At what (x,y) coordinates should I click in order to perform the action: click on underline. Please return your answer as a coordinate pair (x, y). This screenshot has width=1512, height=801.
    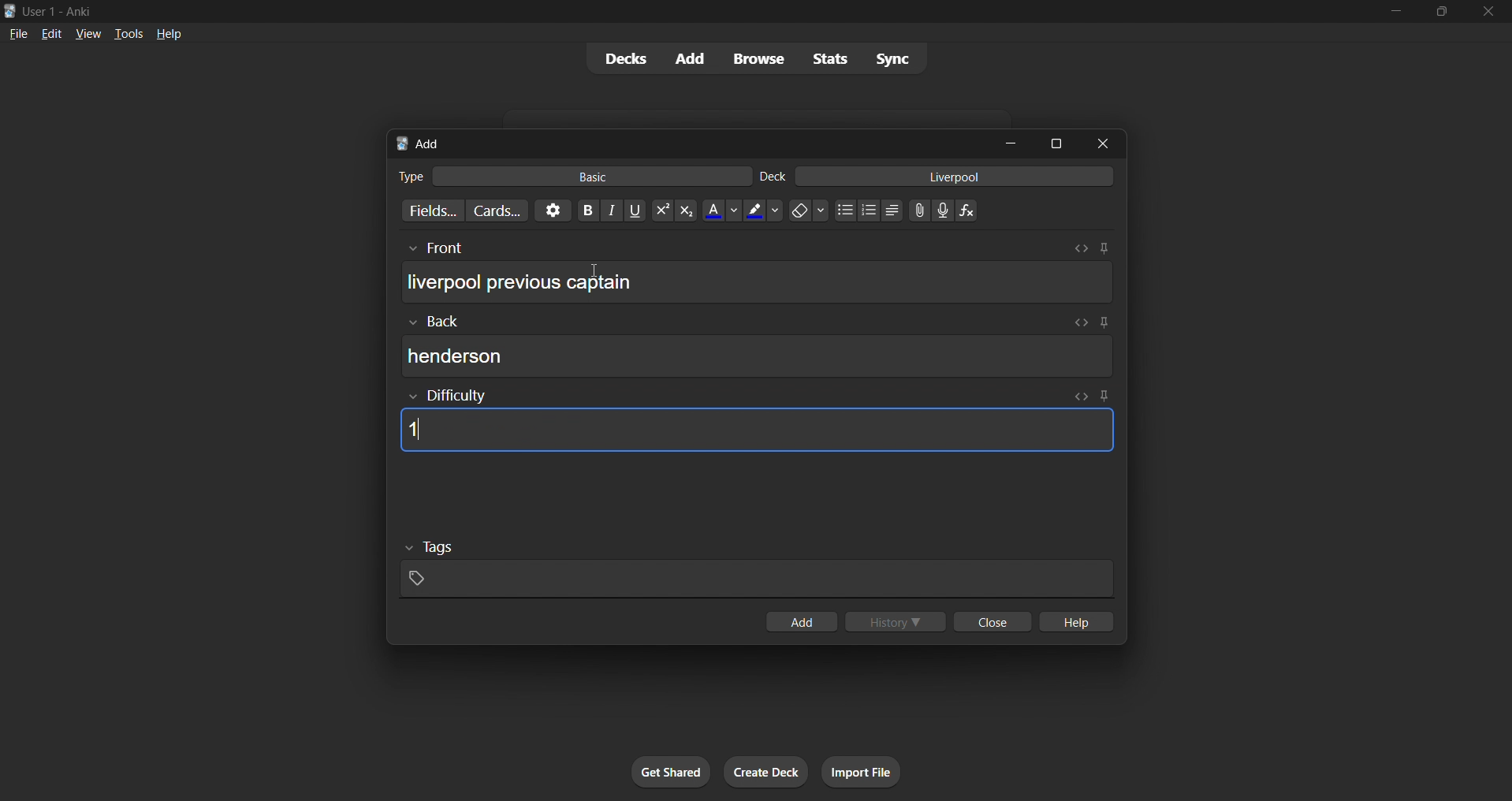
    Looking at the image, I should click on (637, 210).